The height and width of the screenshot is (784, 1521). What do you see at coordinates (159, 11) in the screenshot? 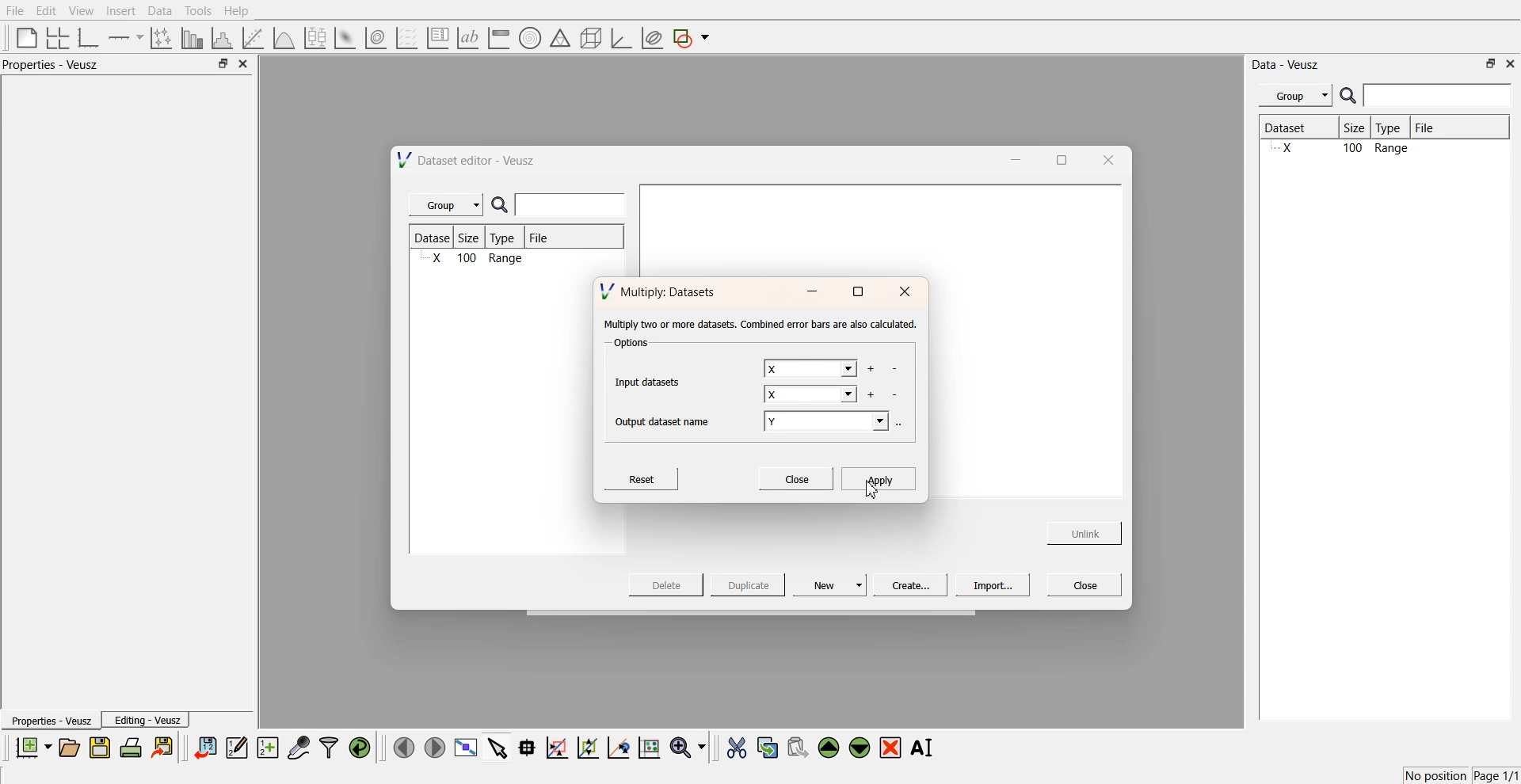
I see `Data` at bounding box center [159, 11].